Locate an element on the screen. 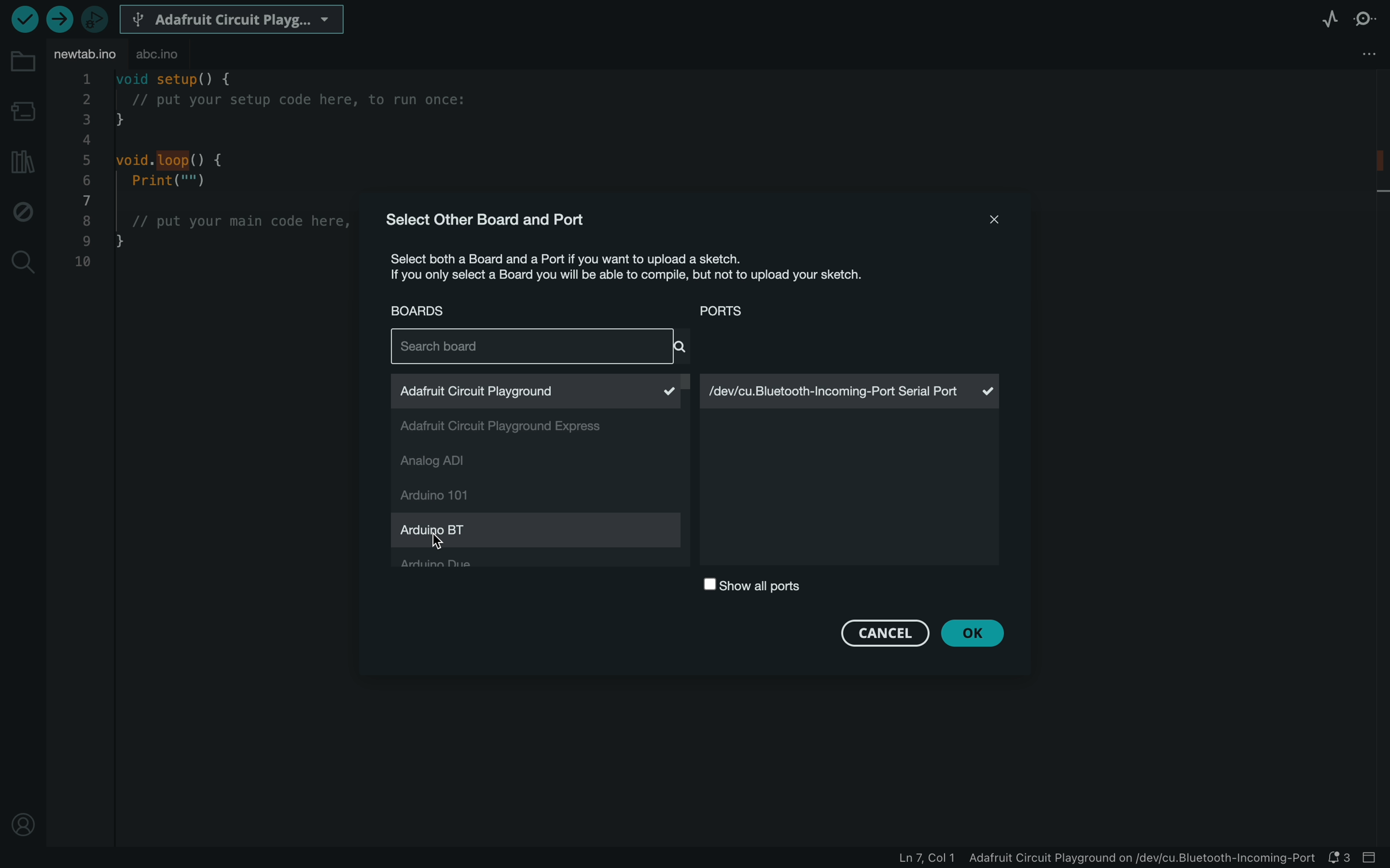 The height and width of the screenshot is (868, 1390). notification is located at coordinates (1340, 859).